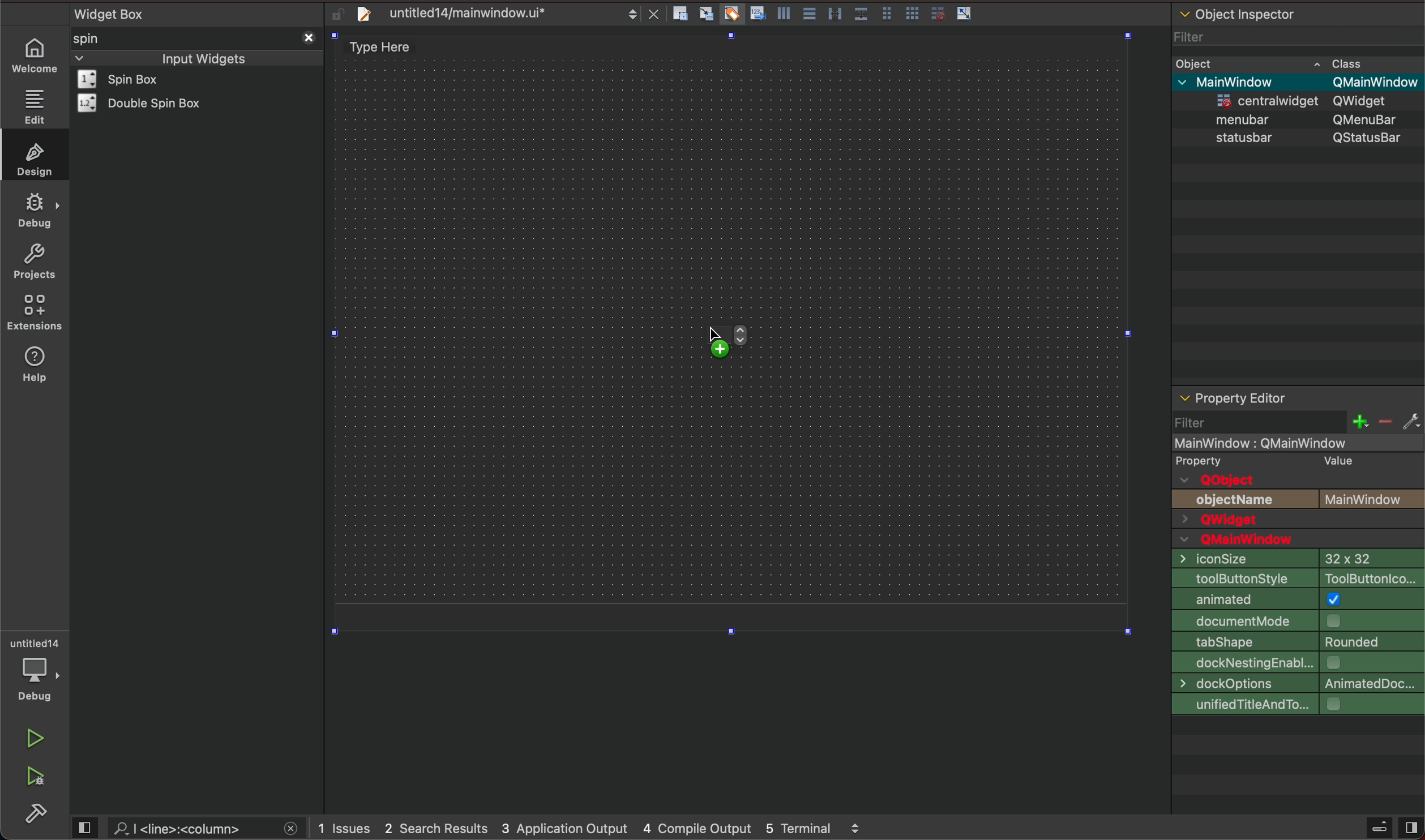  Describe the element at coordinates (1298, 12) in the screenshot. I see `object inspector` at that location.